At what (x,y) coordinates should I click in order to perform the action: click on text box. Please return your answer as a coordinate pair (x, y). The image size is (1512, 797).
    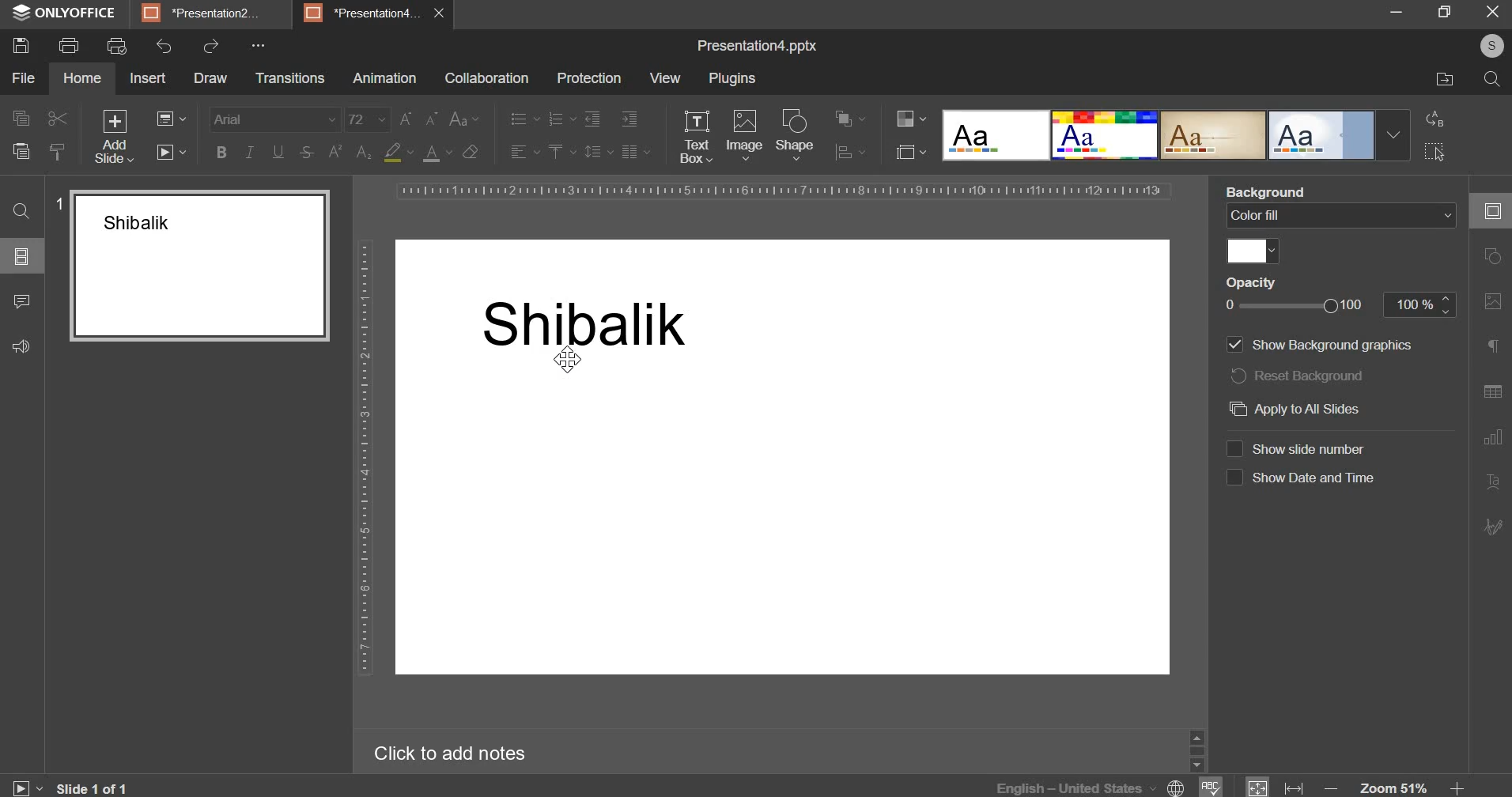
    Looking at the image, I should click on (696, 137).